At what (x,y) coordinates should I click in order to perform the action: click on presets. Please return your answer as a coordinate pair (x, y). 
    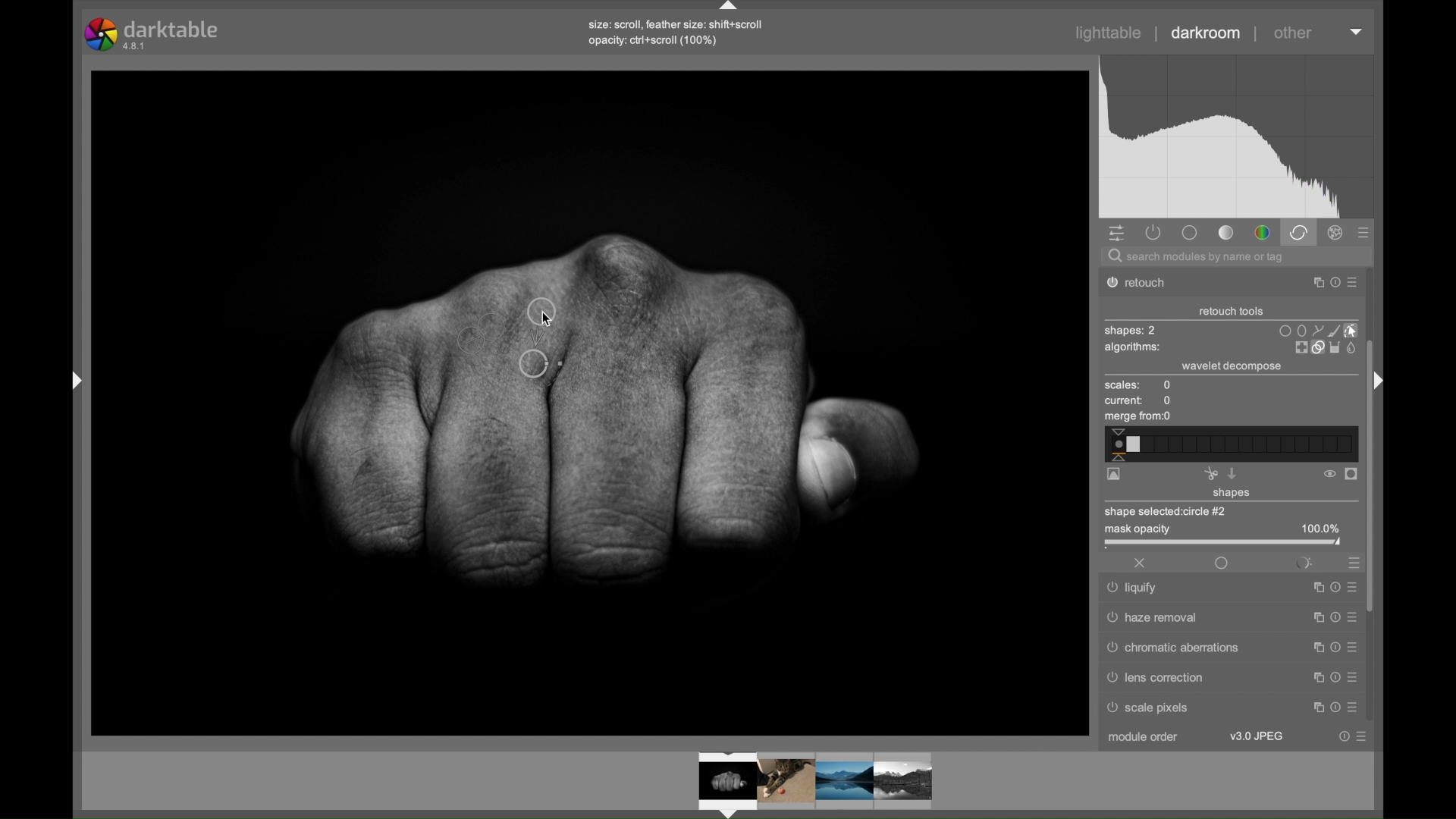
    Looking at the image, I should click on (1364, 234).